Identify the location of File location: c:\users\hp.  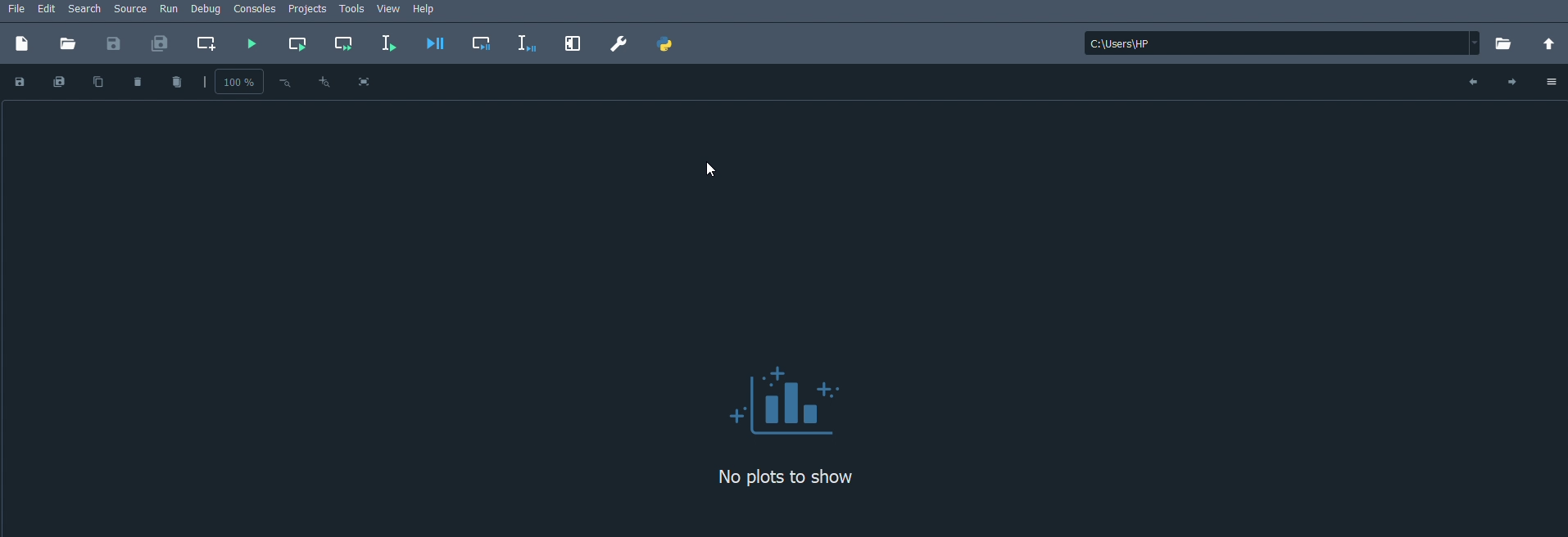
(1284, 43).